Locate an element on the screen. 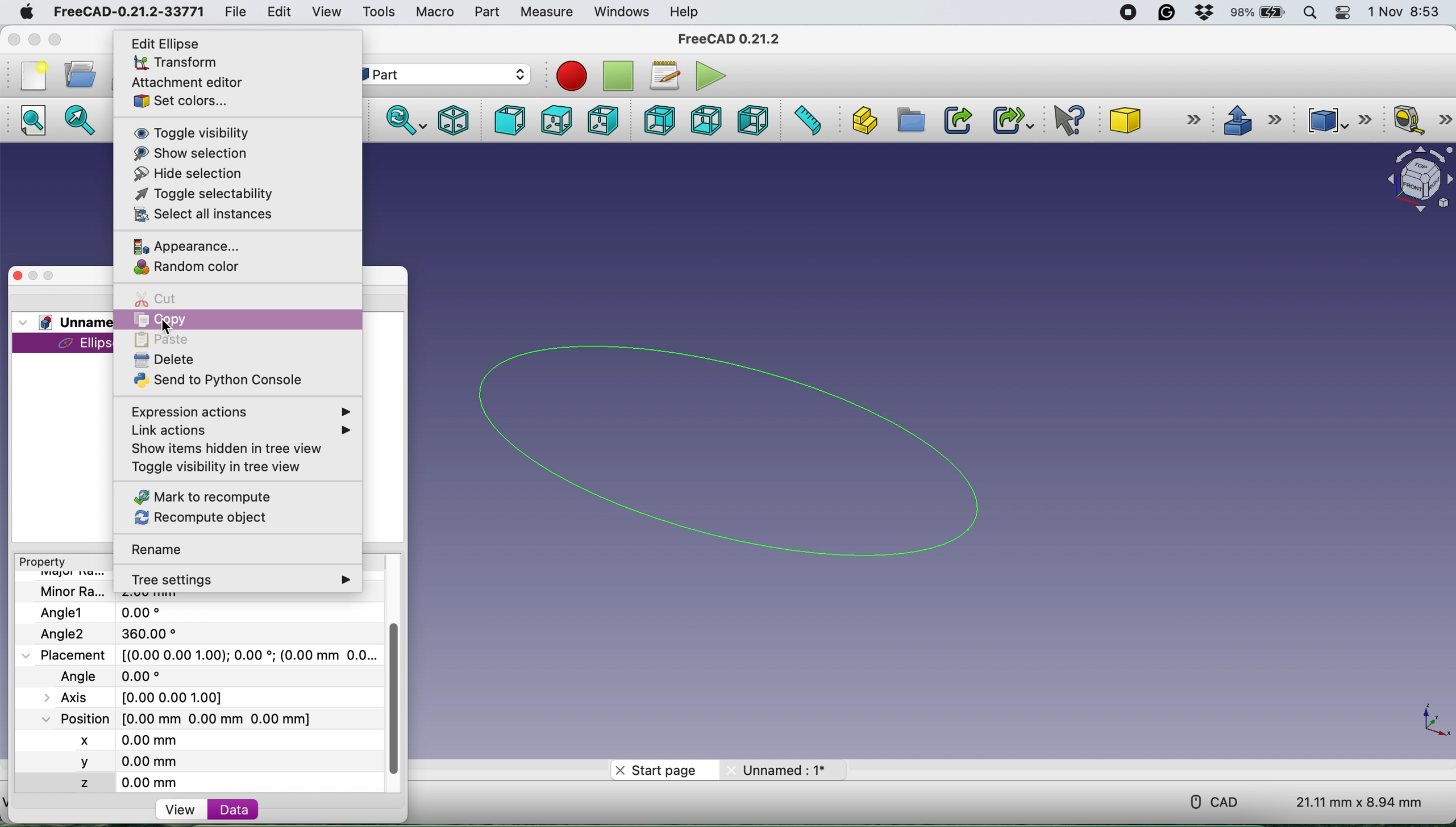  measure distance is located at coordinates (802, 121).